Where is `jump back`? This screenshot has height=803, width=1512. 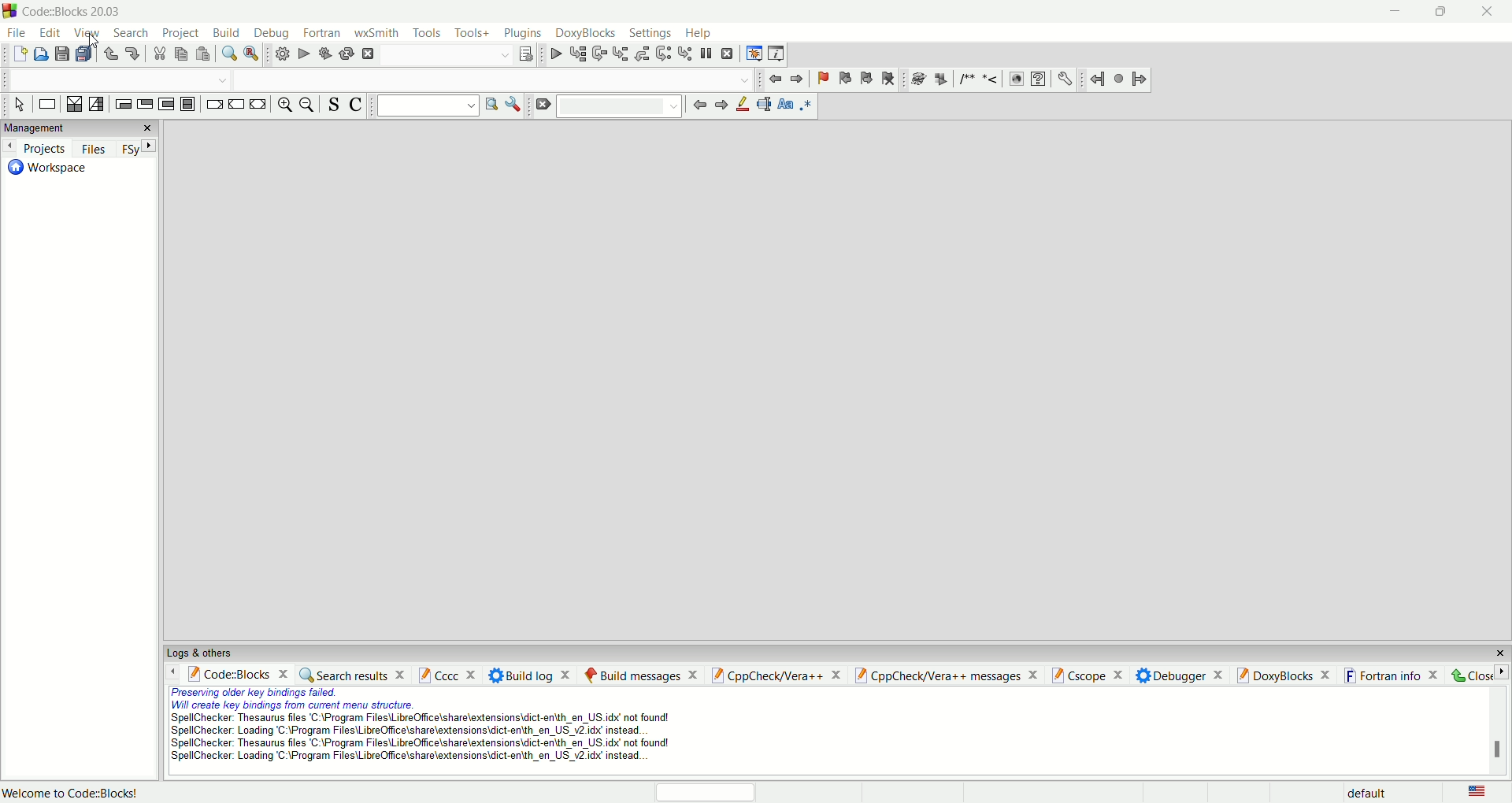 jump back is located at coordinates (1095, 80).